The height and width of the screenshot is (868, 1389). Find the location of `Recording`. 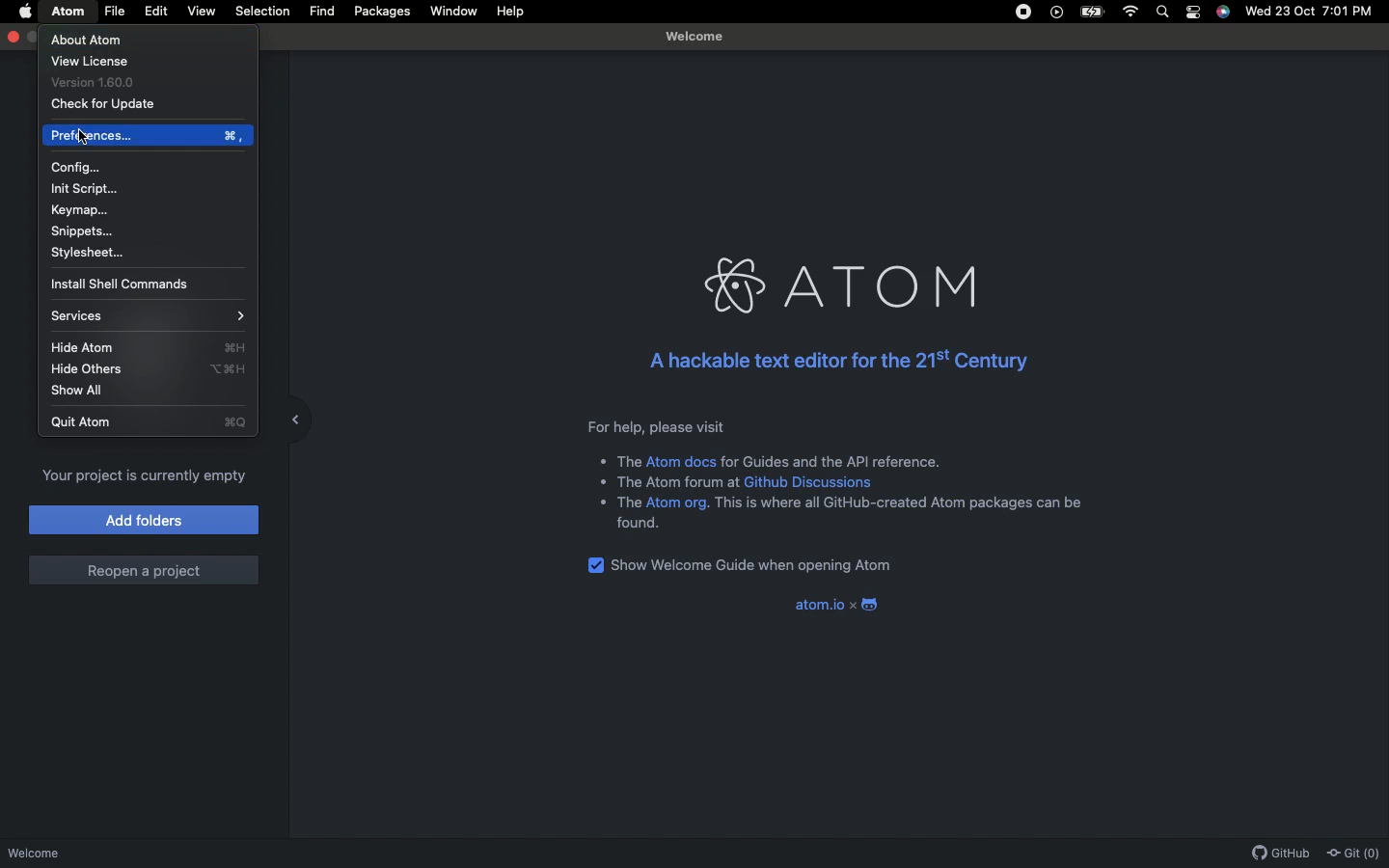

Recording is located at coordinates (1018, 12).